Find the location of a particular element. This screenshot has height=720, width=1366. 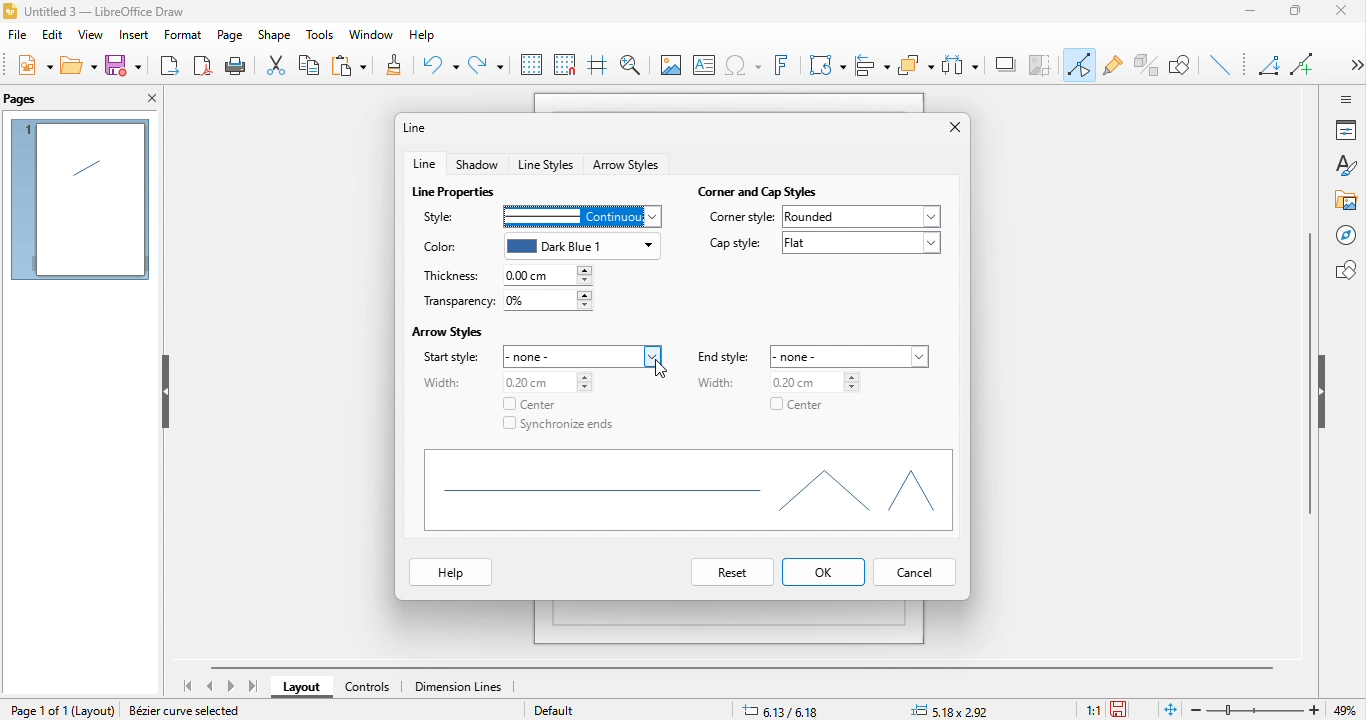

line styles is located at coordinates (546, 164).